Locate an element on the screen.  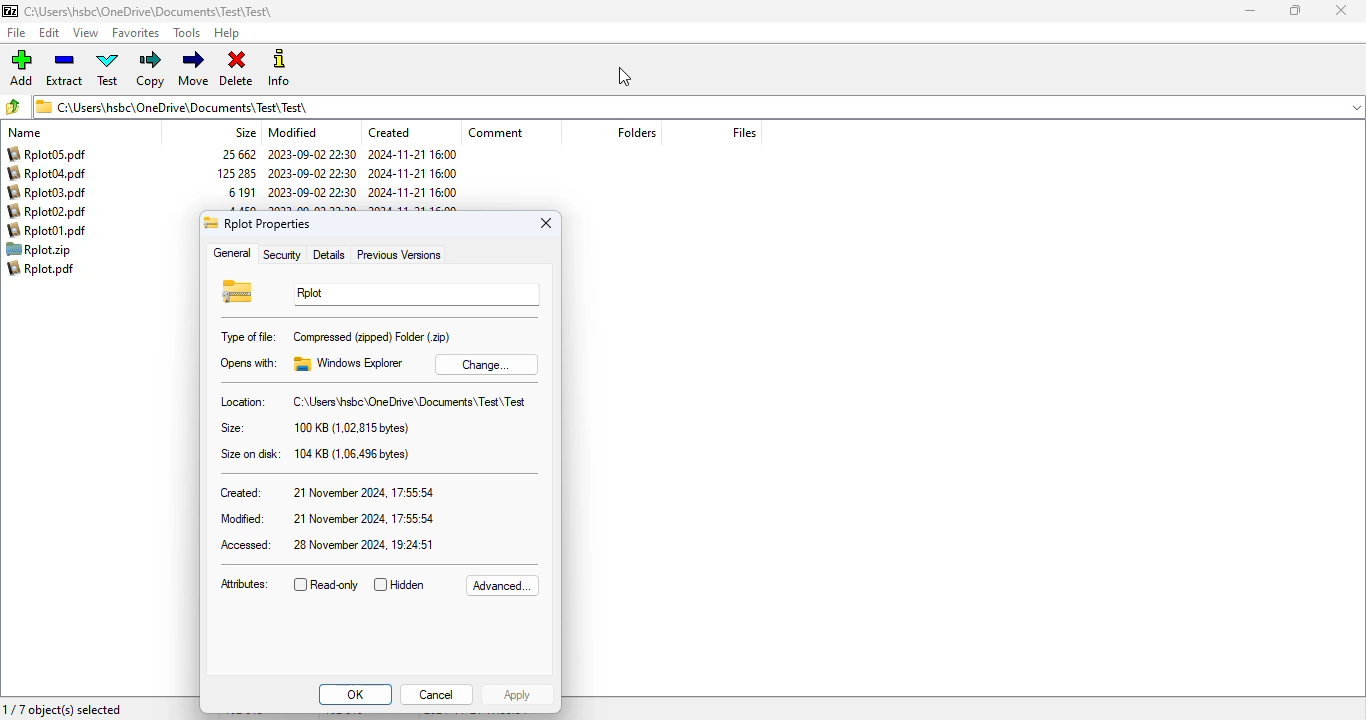
current folder is located at coordinates (698, 106).